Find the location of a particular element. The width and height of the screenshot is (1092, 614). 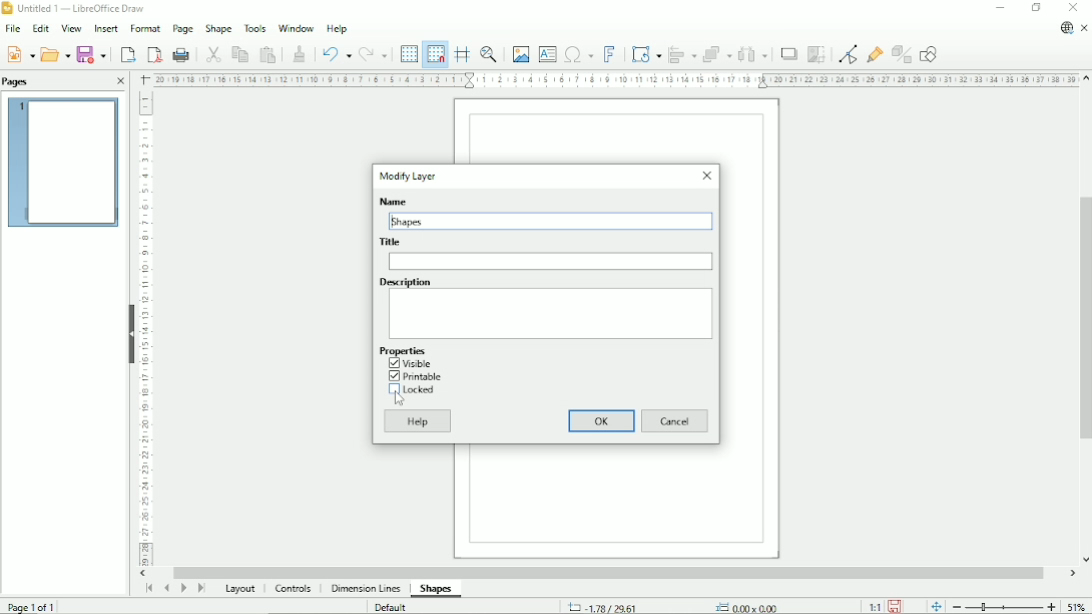

Shadow is located at coordinates (787, 55).